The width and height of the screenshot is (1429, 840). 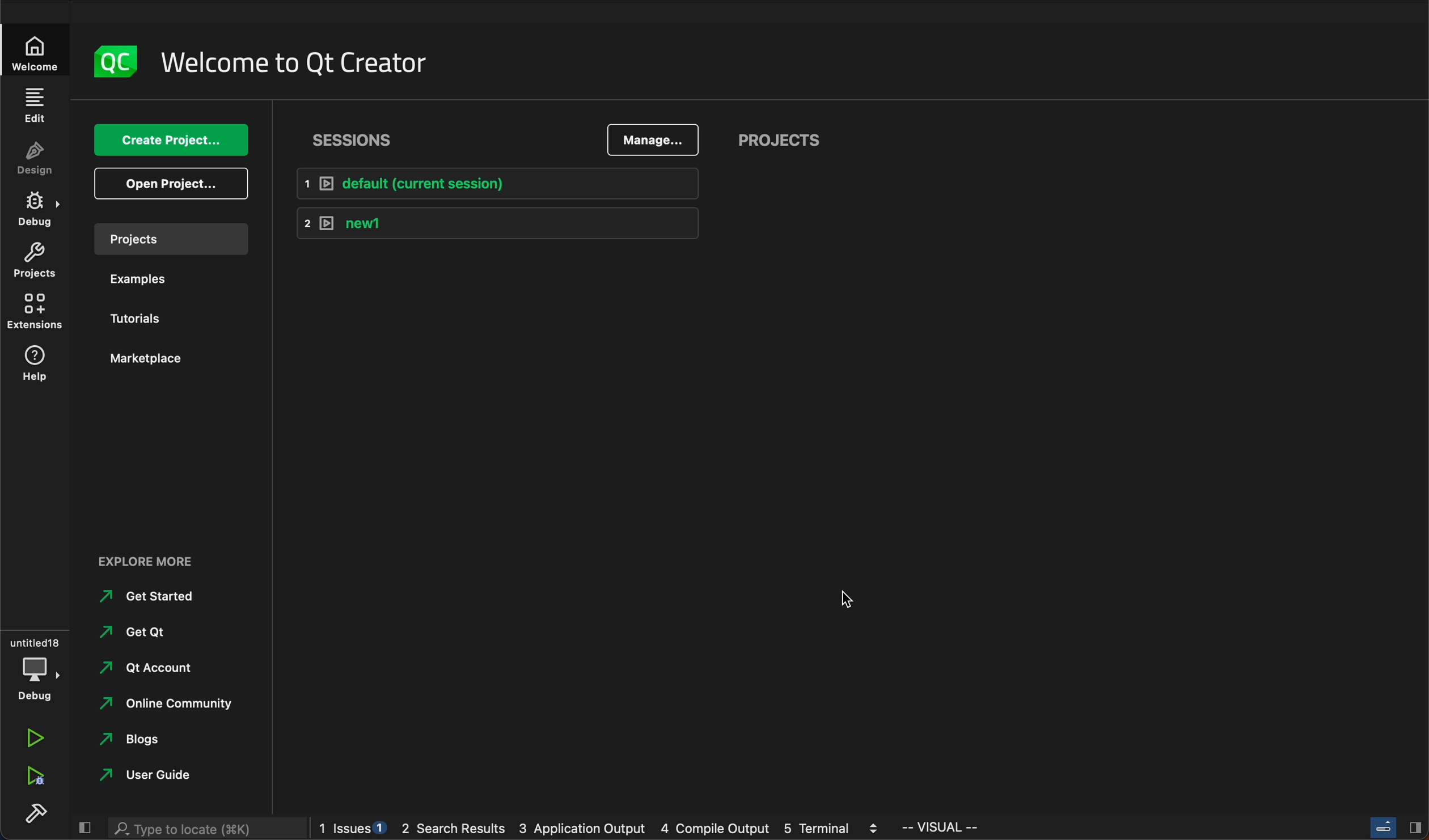 What do you see at coordinates (35, 737) in the screenshot?
I see `run` at bounding box center [35, 737].